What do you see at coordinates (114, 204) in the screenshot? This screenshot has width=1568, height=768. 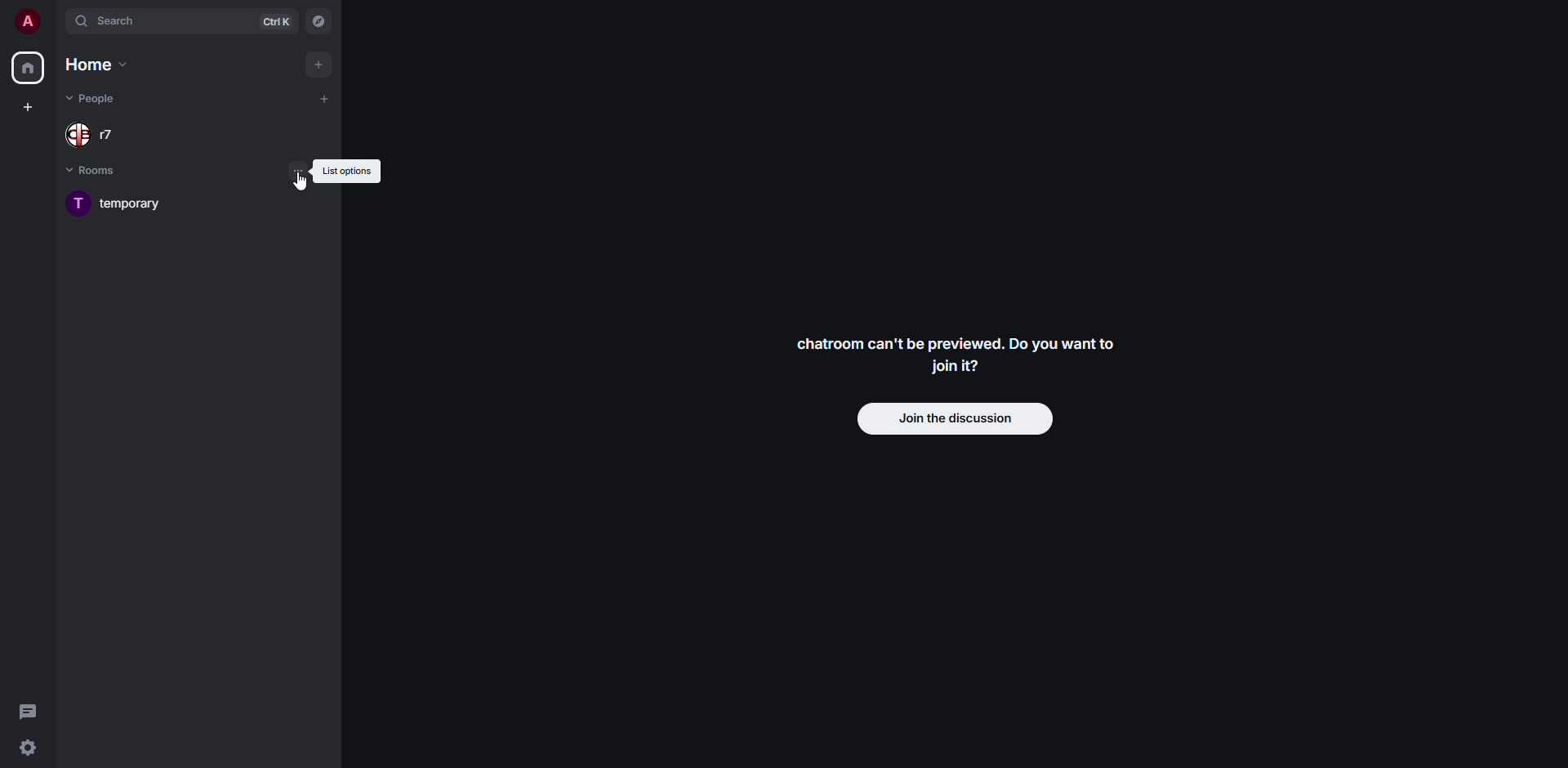 I see `room` at bounding box center [114, 204].